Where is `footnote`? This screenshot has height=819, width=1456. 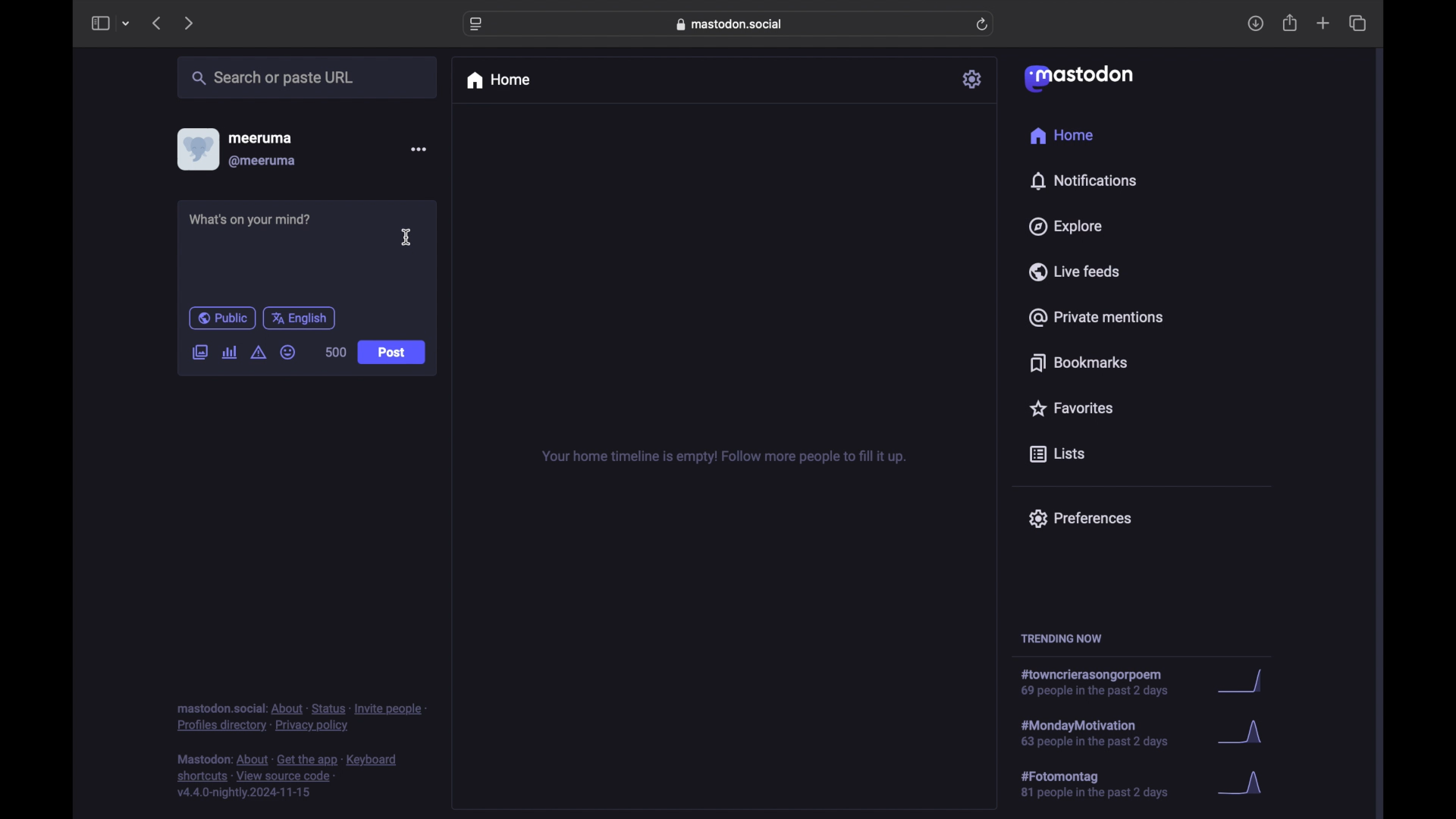 footnote is located at coordinates (302, 717).